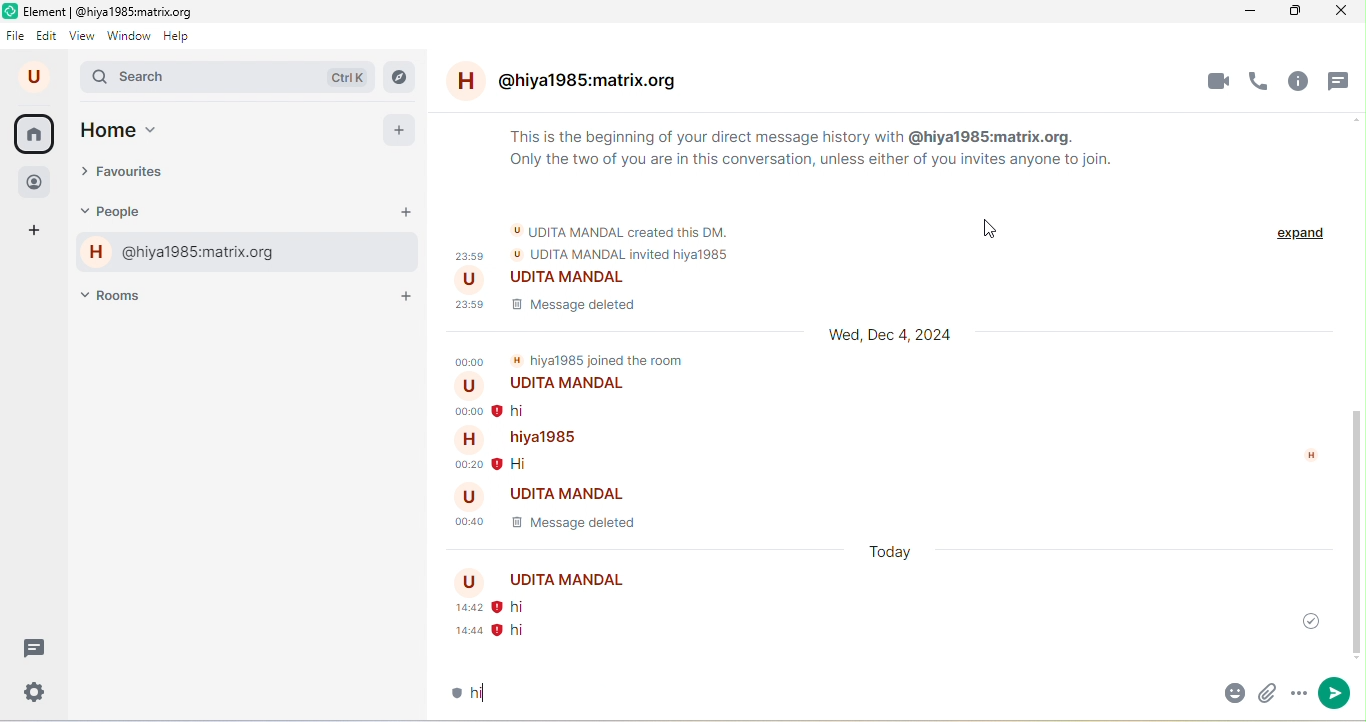 This screenshot has width=1366, height=722. I want to click on udita mandal, so click(555, 492).